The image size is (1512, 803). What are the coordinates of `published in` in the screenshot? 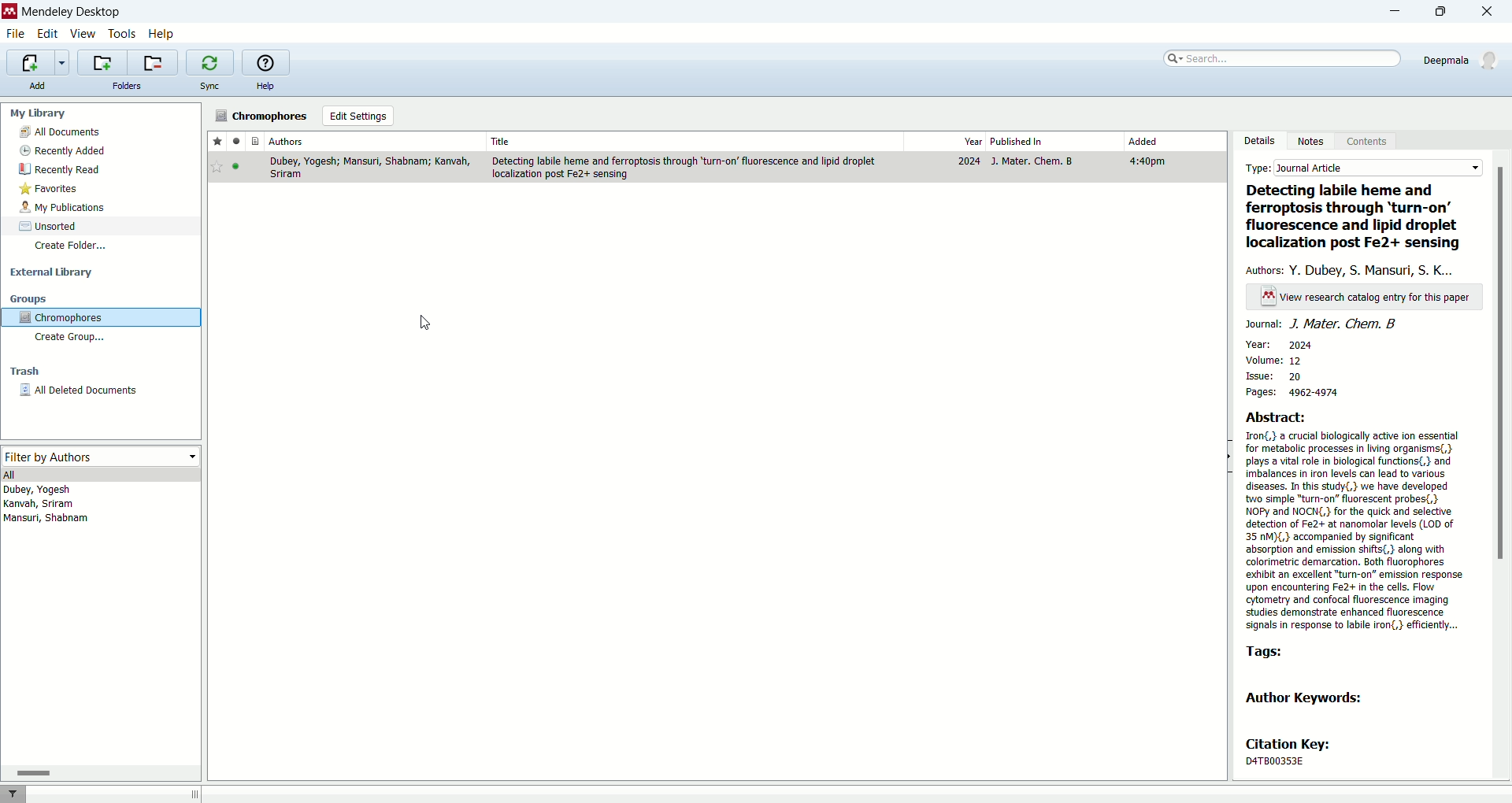 It's located at (1053, 142).